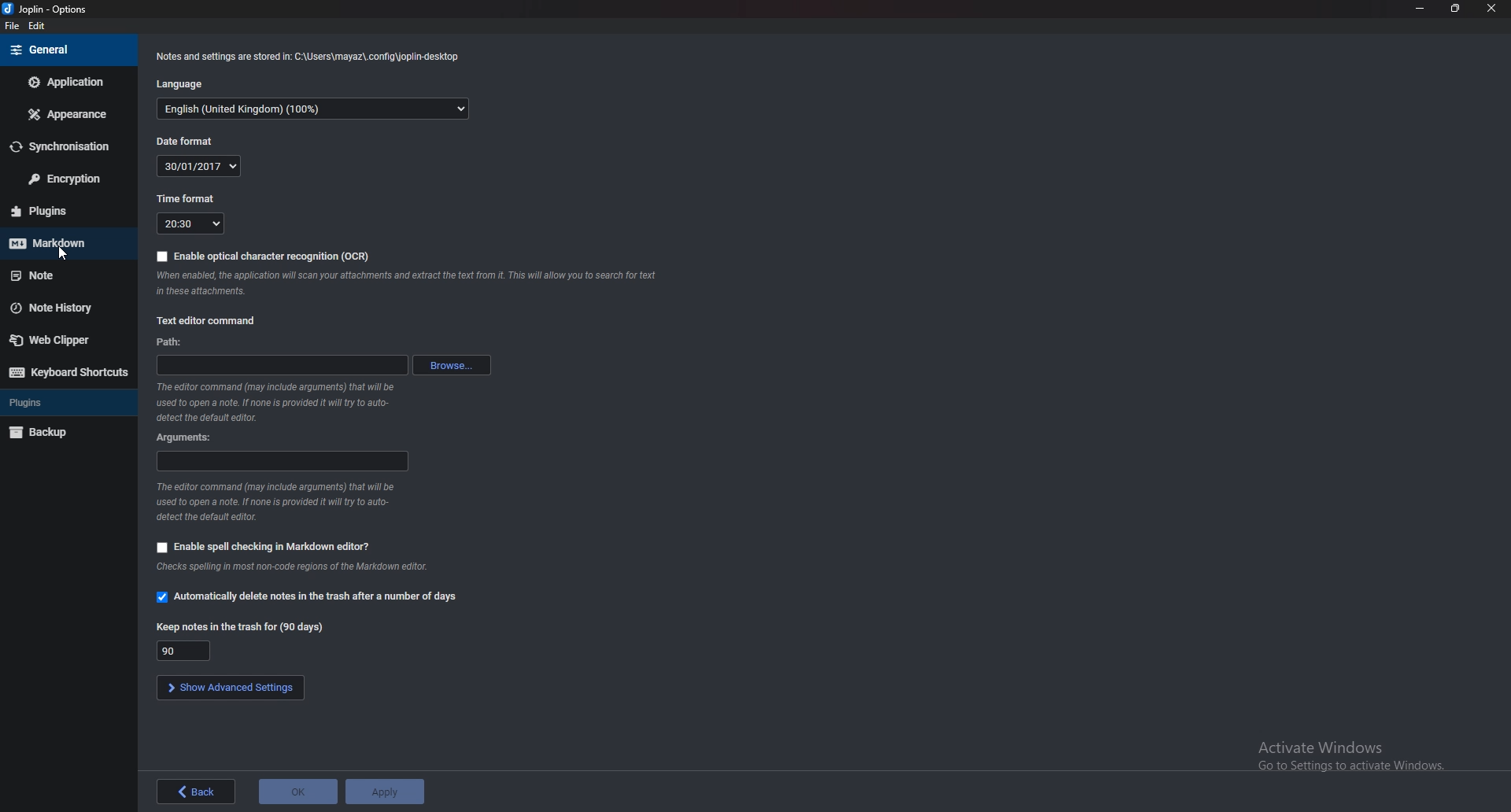 The height and width of the screenshot is (812, 1511). I want to click on Arguments, so click(186, 437).